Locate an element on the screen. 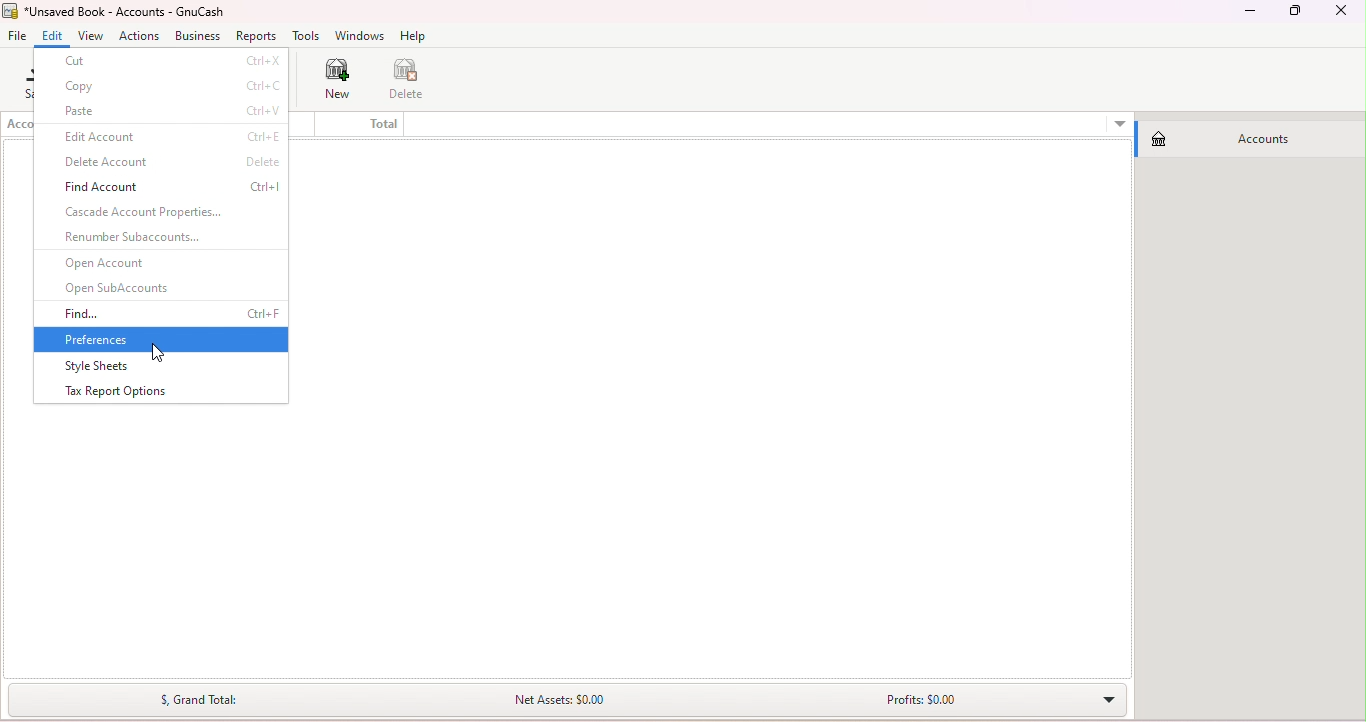 This screenshot has height=722, width=1366. More options is located at coordinates (1118, 122).